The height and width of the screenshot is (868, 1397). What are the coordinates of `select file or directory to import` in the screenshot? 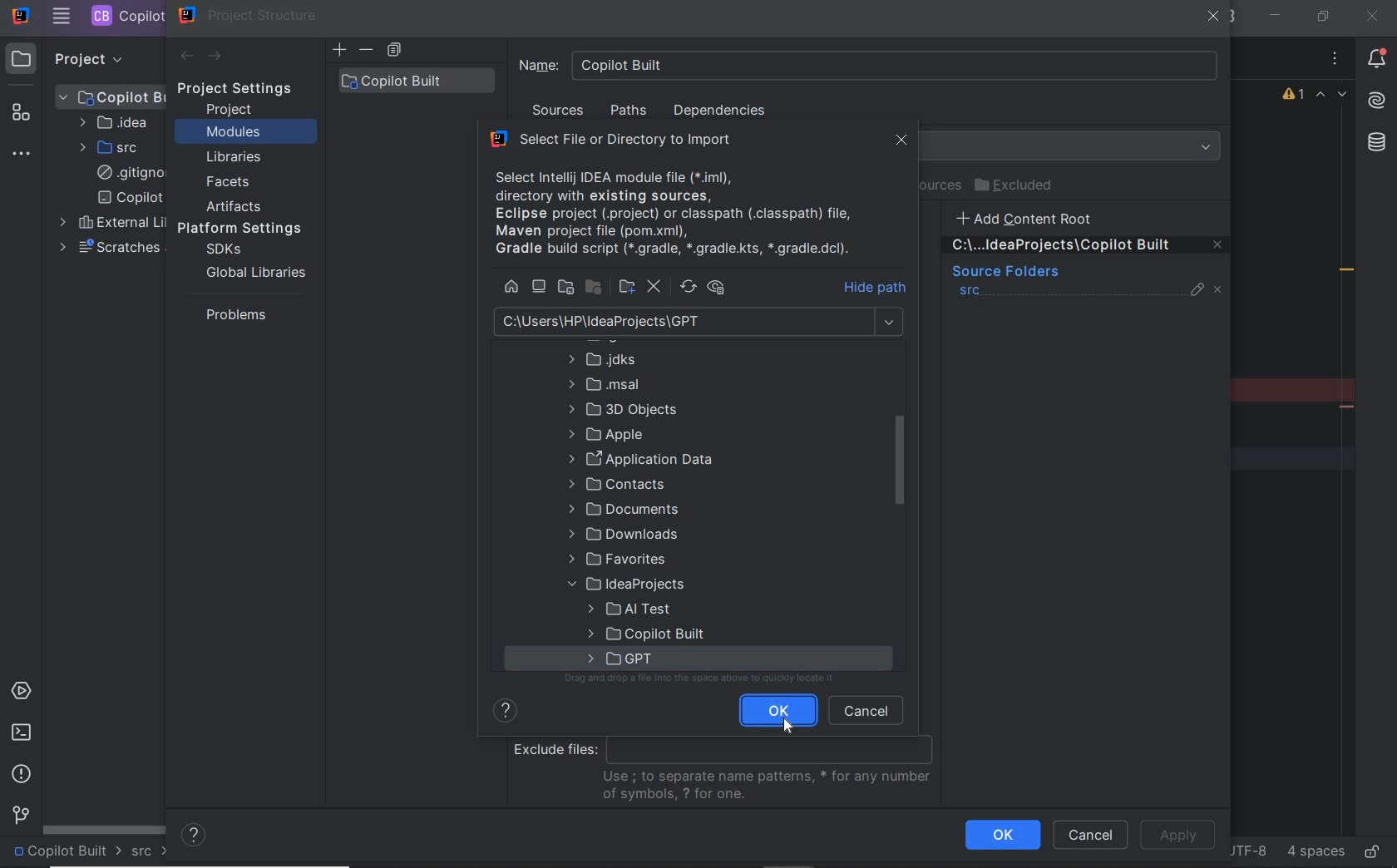 It's located at (634, 141).